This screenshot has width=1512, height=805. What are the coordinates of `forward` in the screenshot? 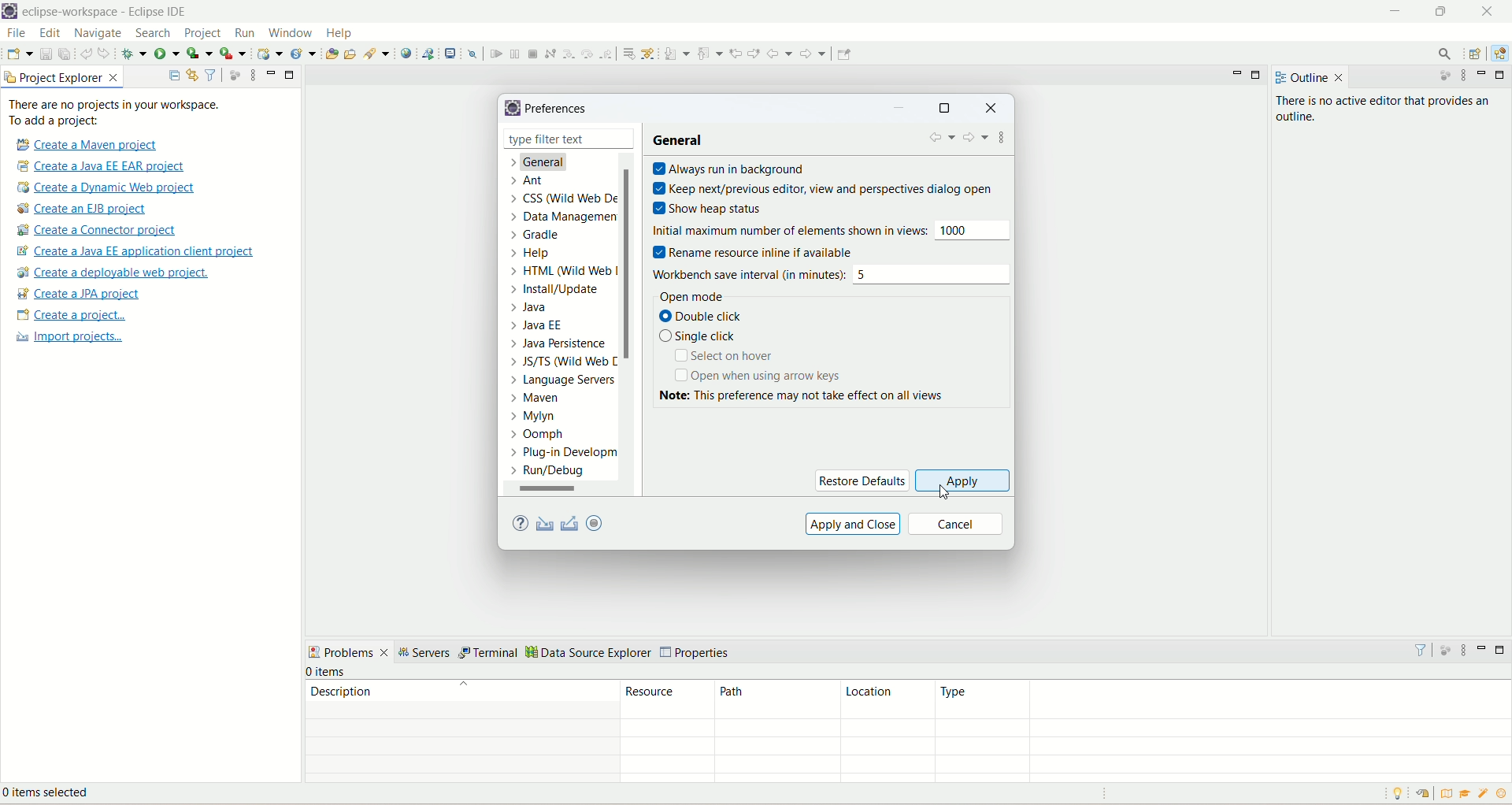 It's located at (815, 54).